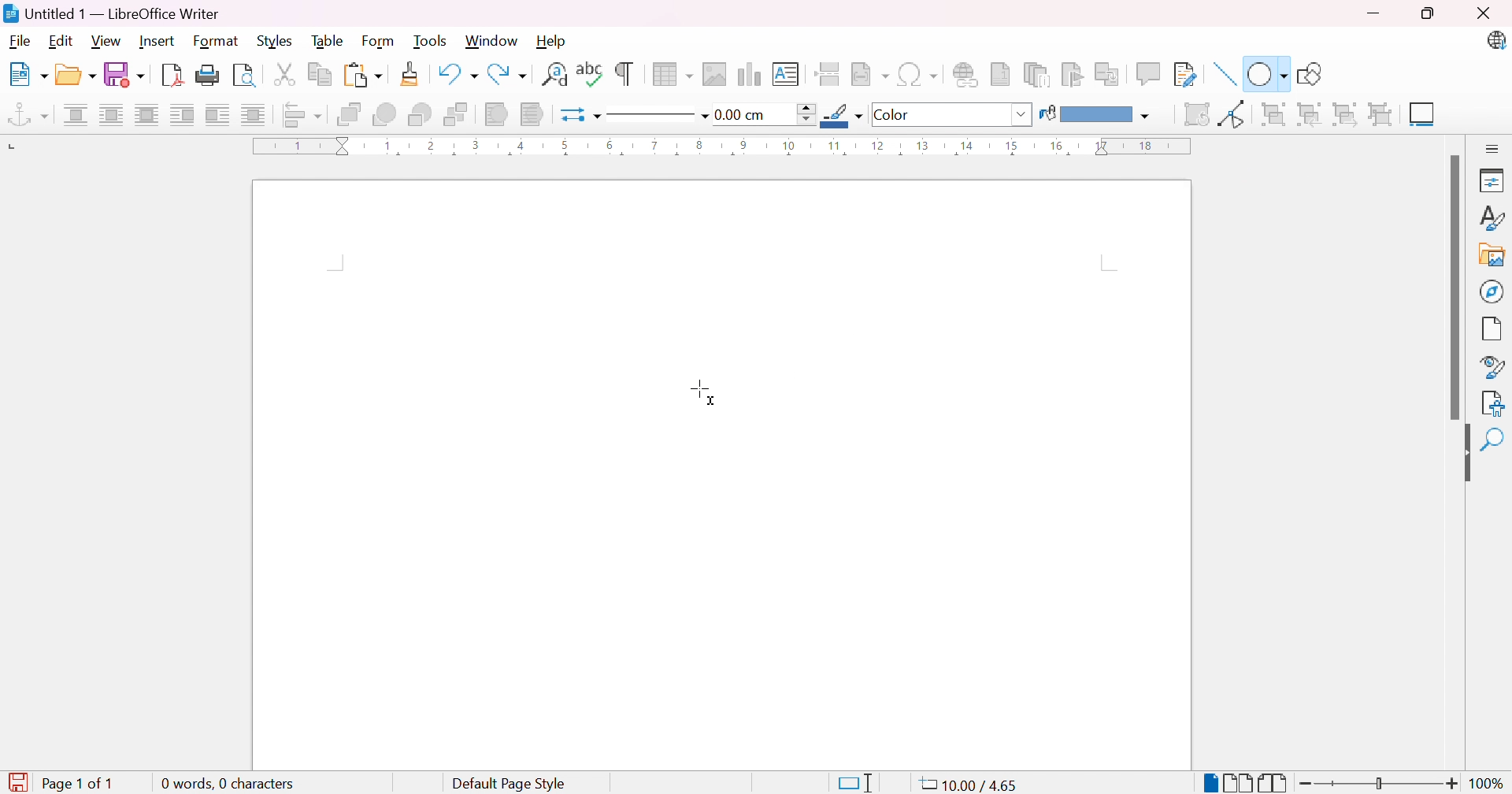 The height and width of the screenshot is (794, 1512). Describe the element at coordinates (146, 113) in the screenshot. I see `Optimal` at that location.